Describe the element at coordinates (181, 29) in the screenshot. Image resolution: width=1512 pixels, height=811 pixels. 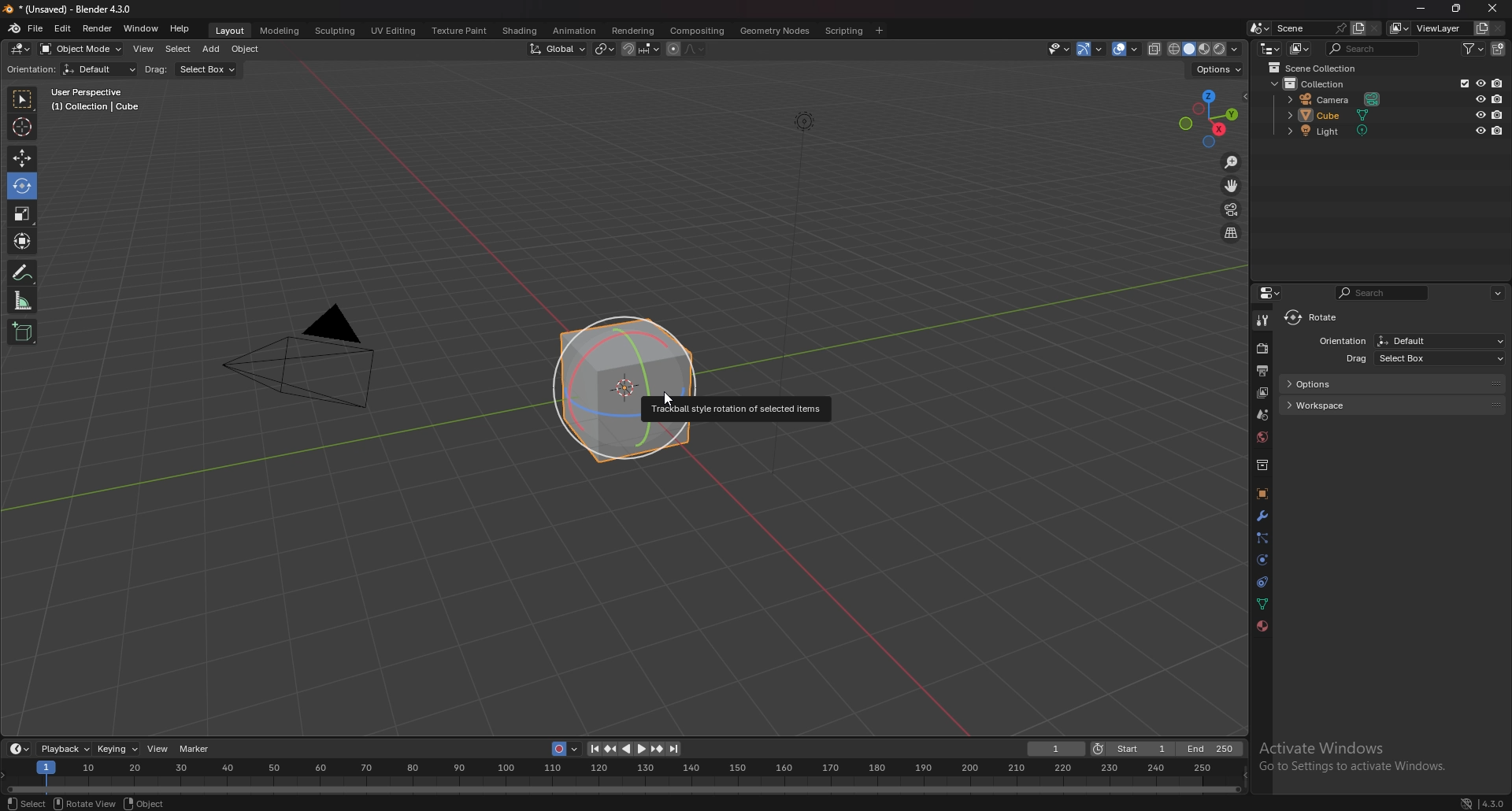
I see `help` at that location.